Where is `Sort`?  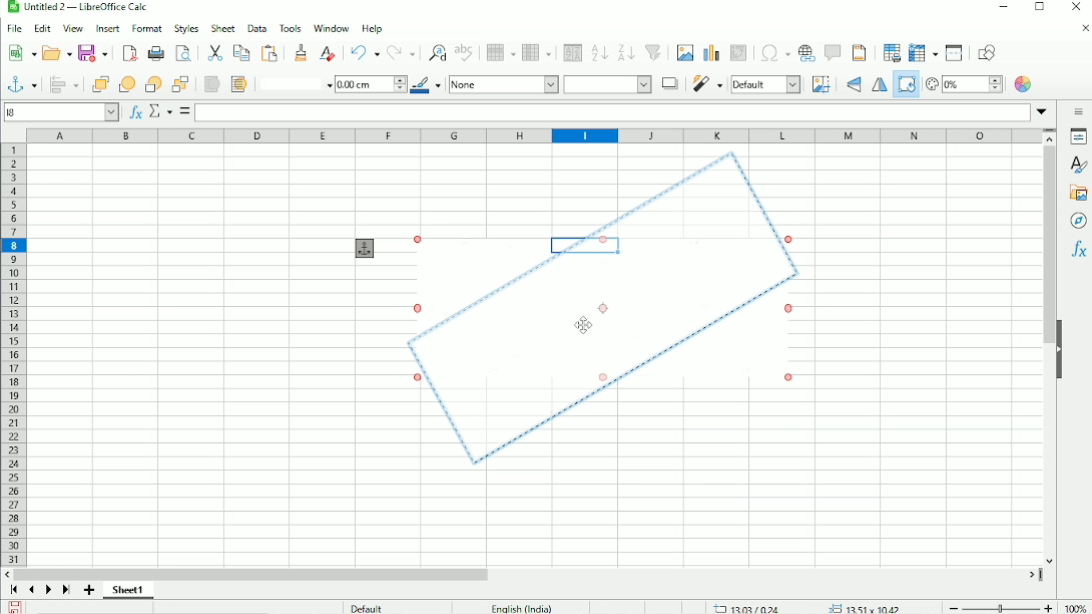 Sort is located at coordinates (572, 53).